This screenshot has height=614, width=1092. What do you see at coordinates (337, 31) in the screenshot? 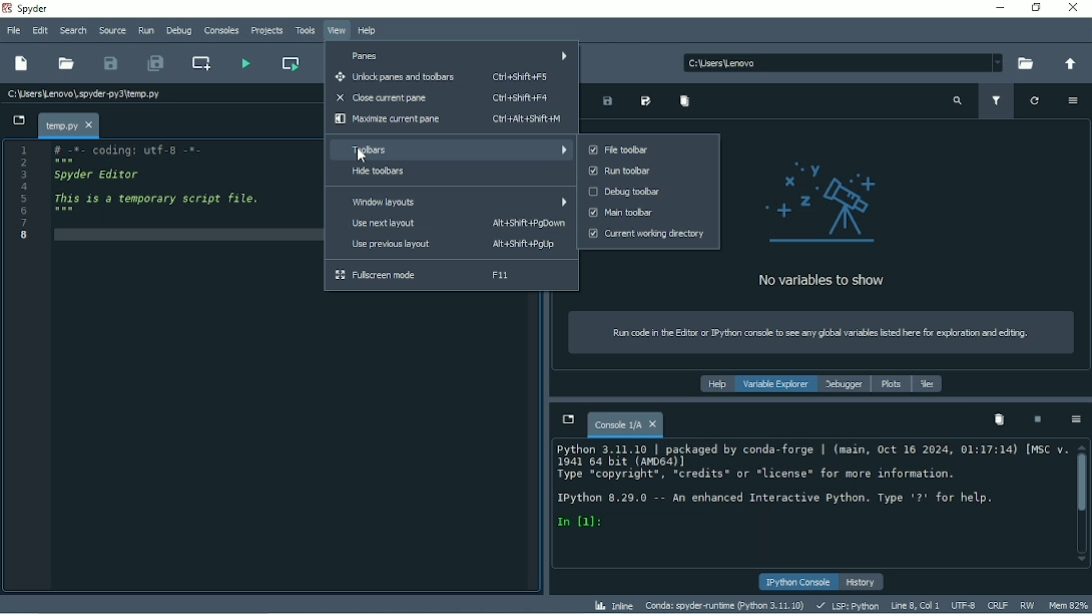
I see `View` at bounding box center [337, 31].